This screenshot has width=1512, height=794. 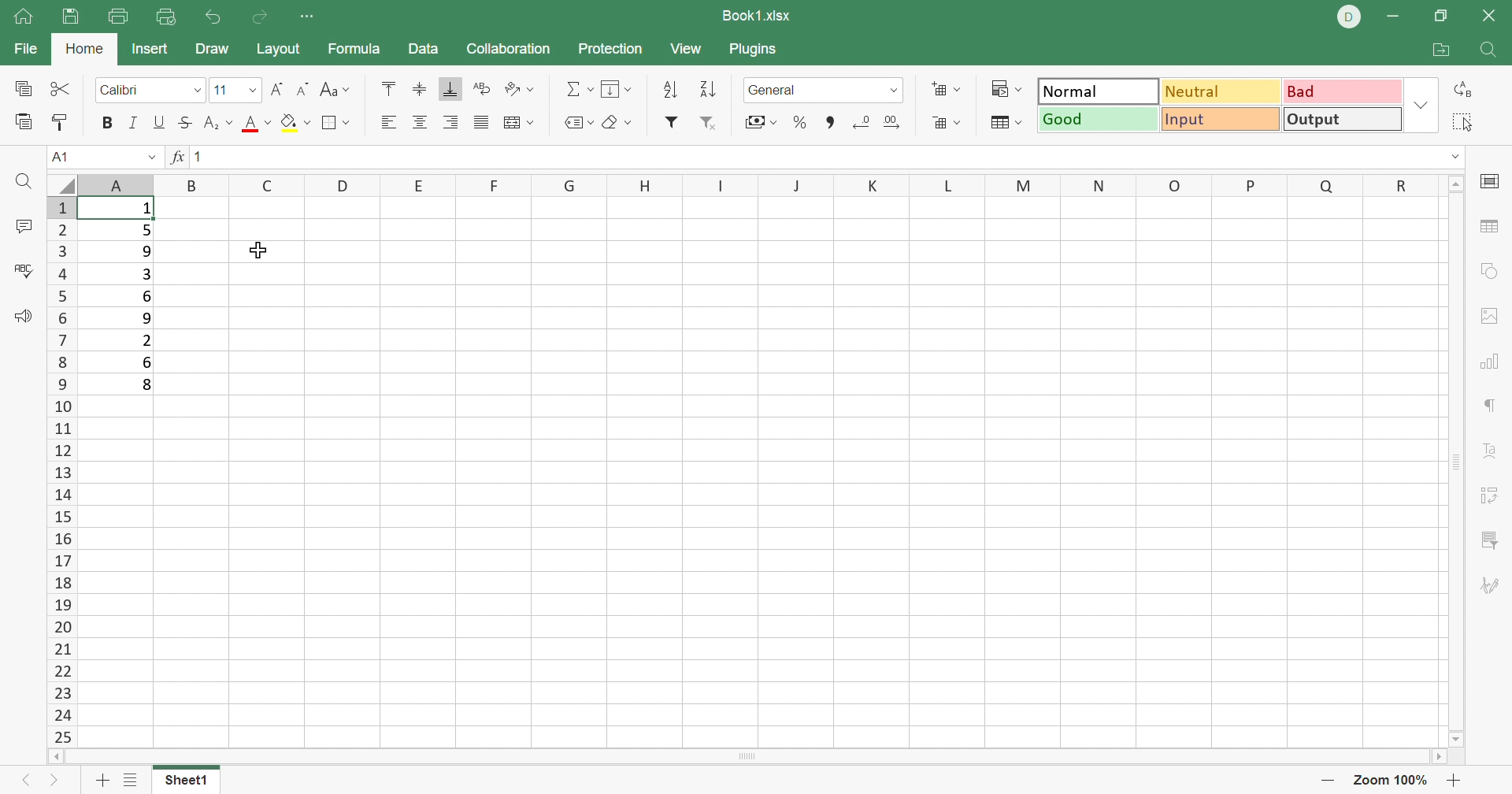 I want to click on Filter, so click(x=669, y=125).